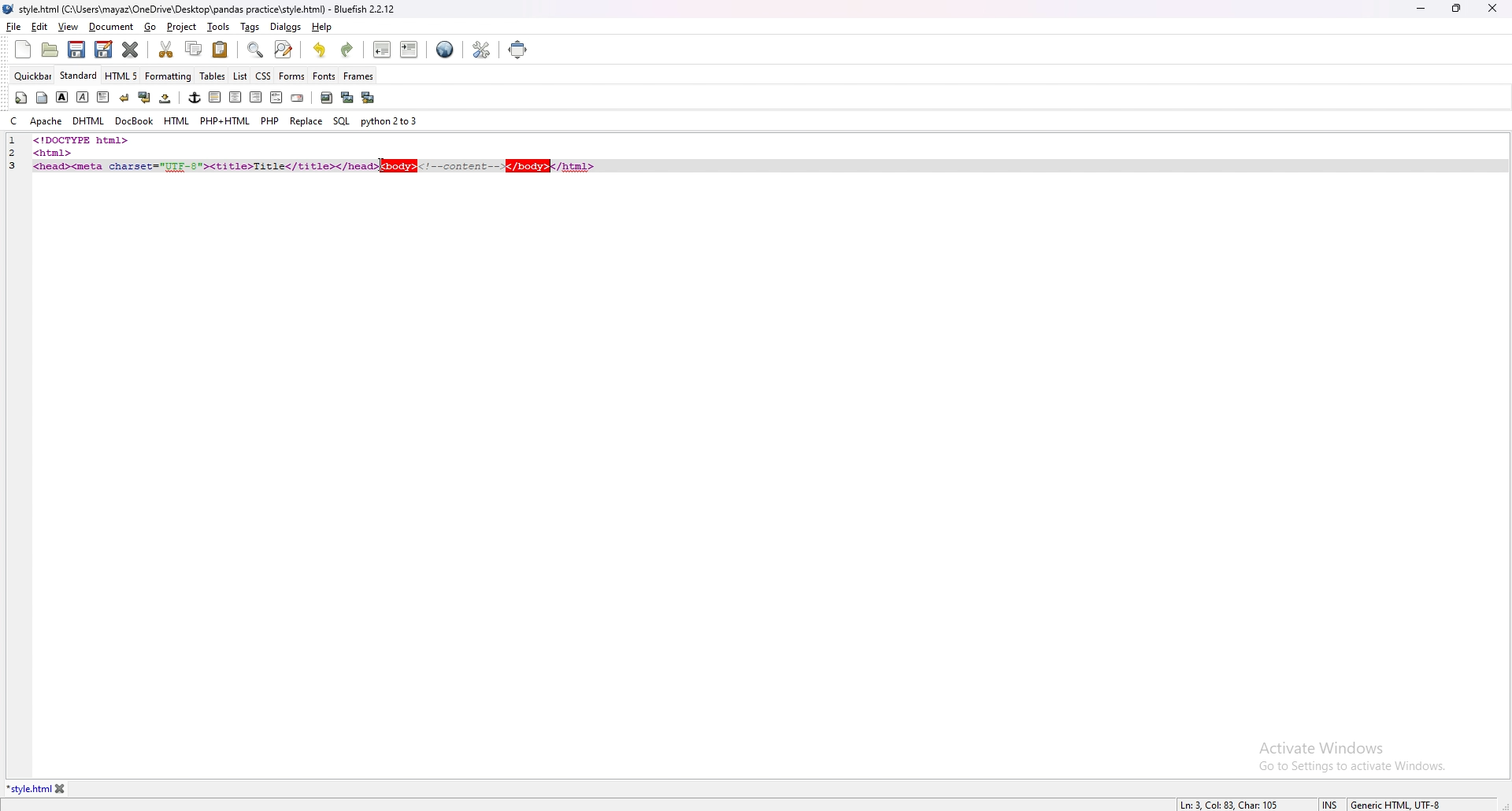  Describe the element at coordinates (251, 27) in the screenshot. I see `tags` at that location.